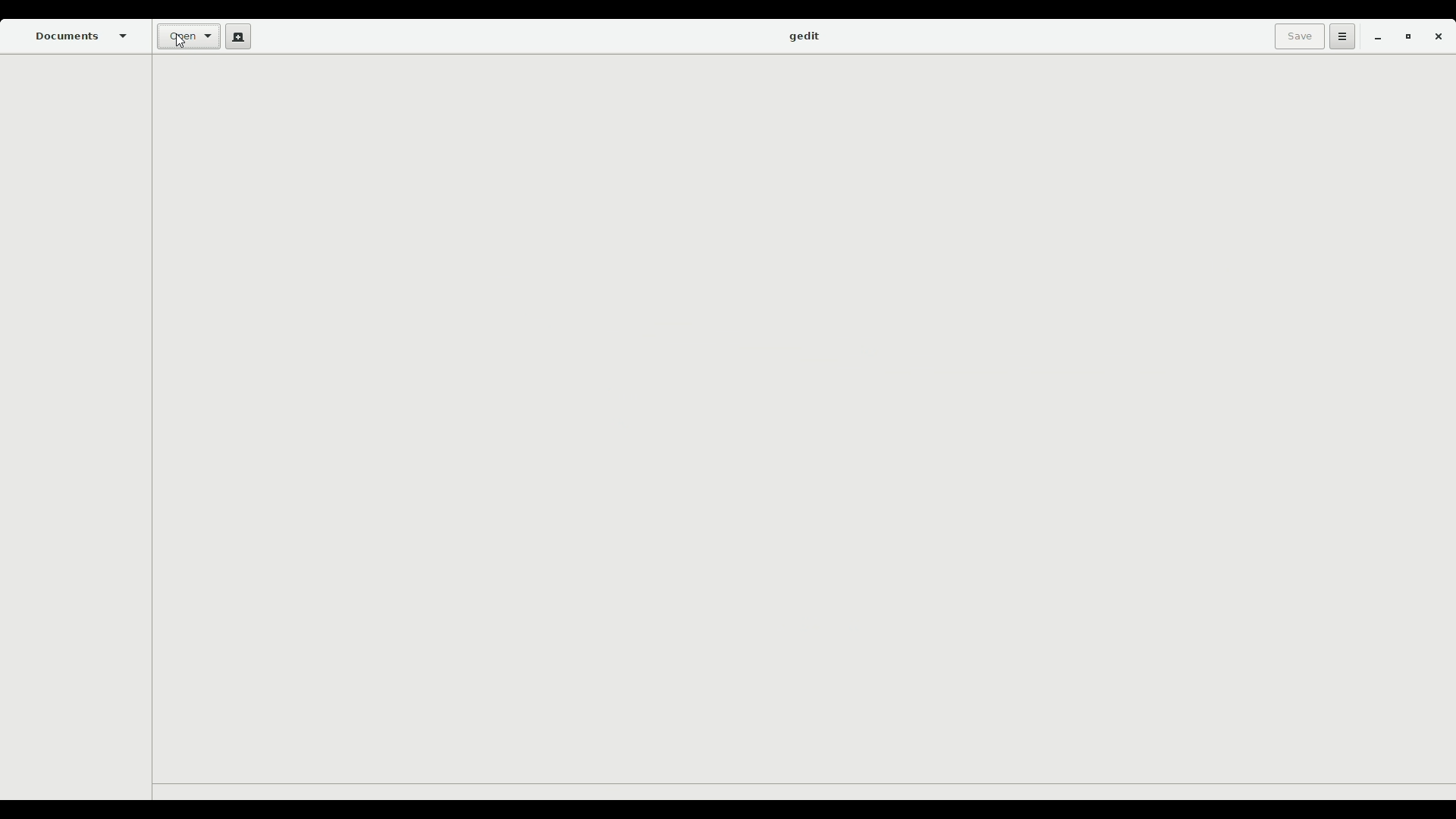 This screenshot has height=819, width=1456. I want to click on gedit, so click(803, 37).